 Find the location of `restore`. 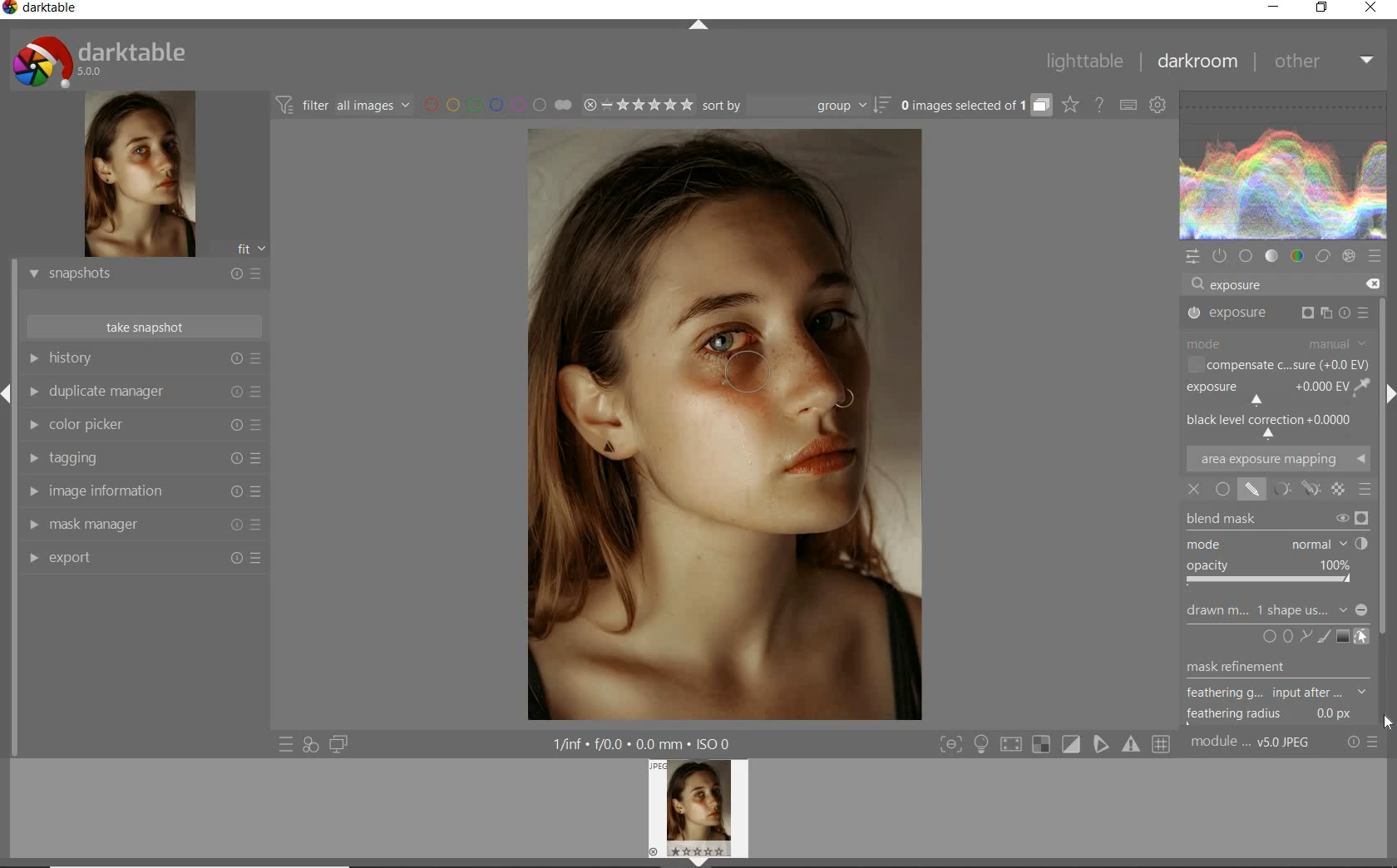

restore is located at coordinates (1322, 11).